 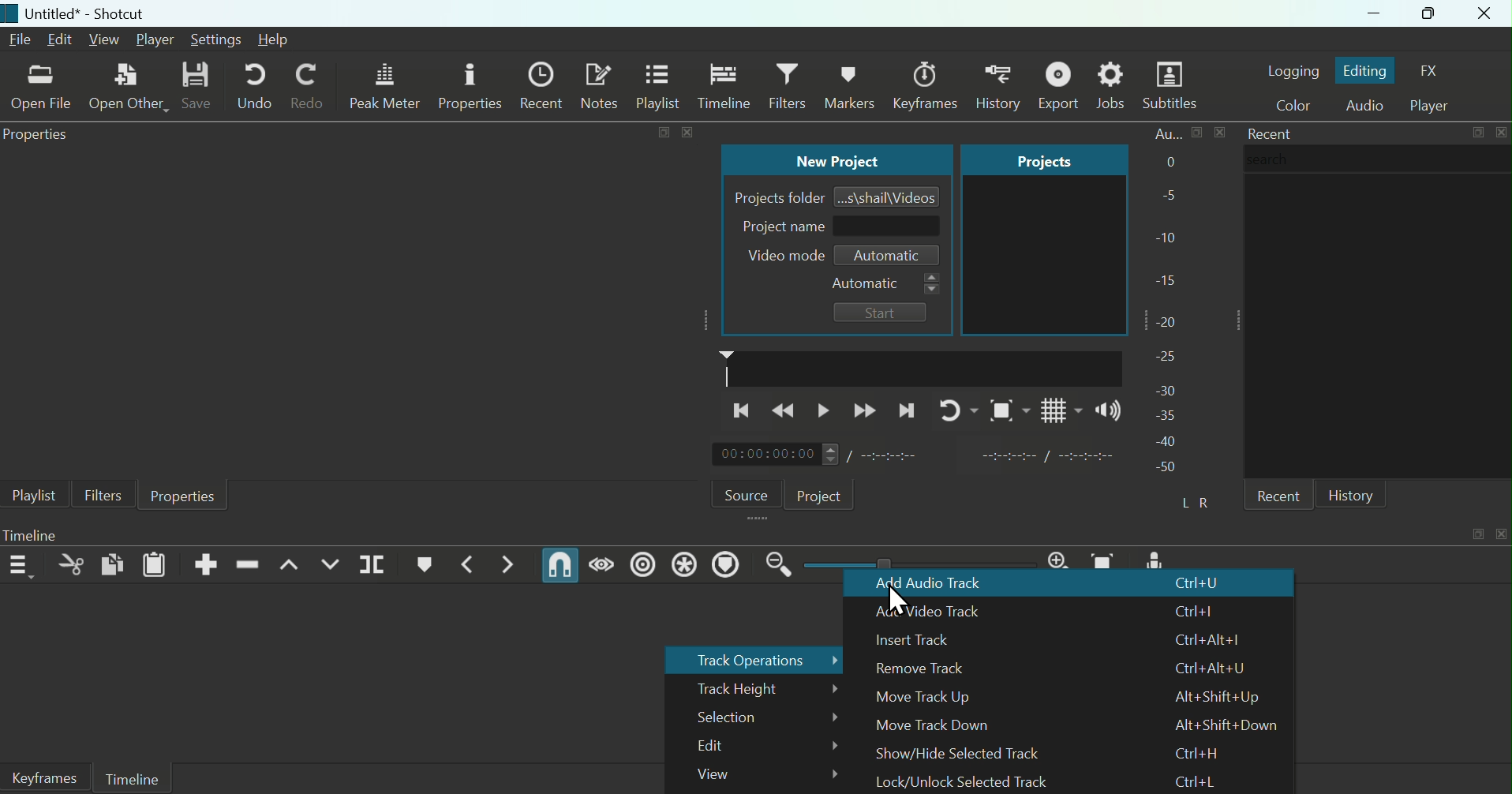 What do you see at coordinates (776, 197) in the screenshot?
I see `Projects folder` at bounding box center [776, 197].